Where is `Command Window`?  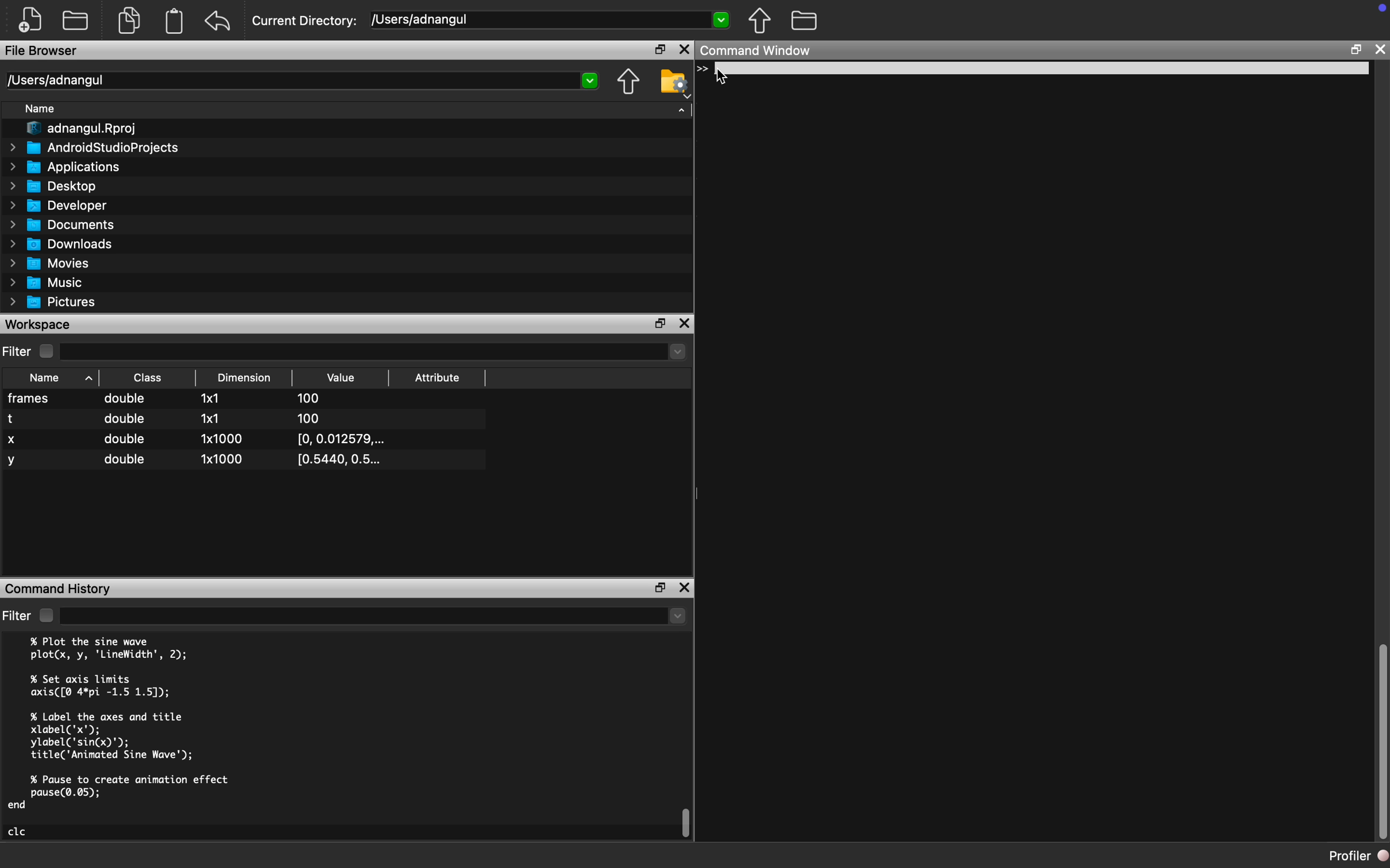 Command Window is located at coordinates (758, 52).